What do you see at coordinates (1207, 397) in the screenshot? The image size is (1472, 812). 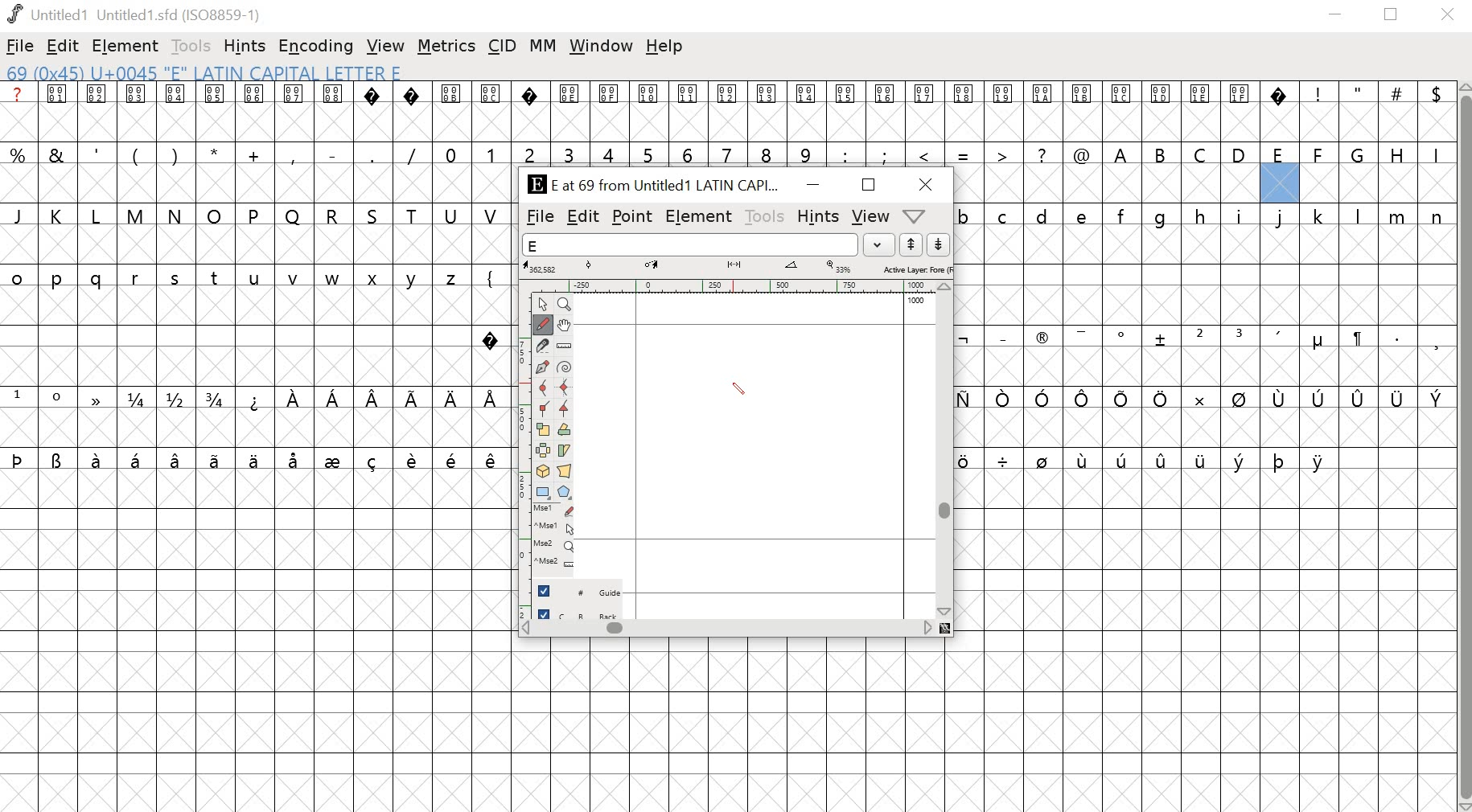 I see `special characters` at bounding box center [1207, 397].